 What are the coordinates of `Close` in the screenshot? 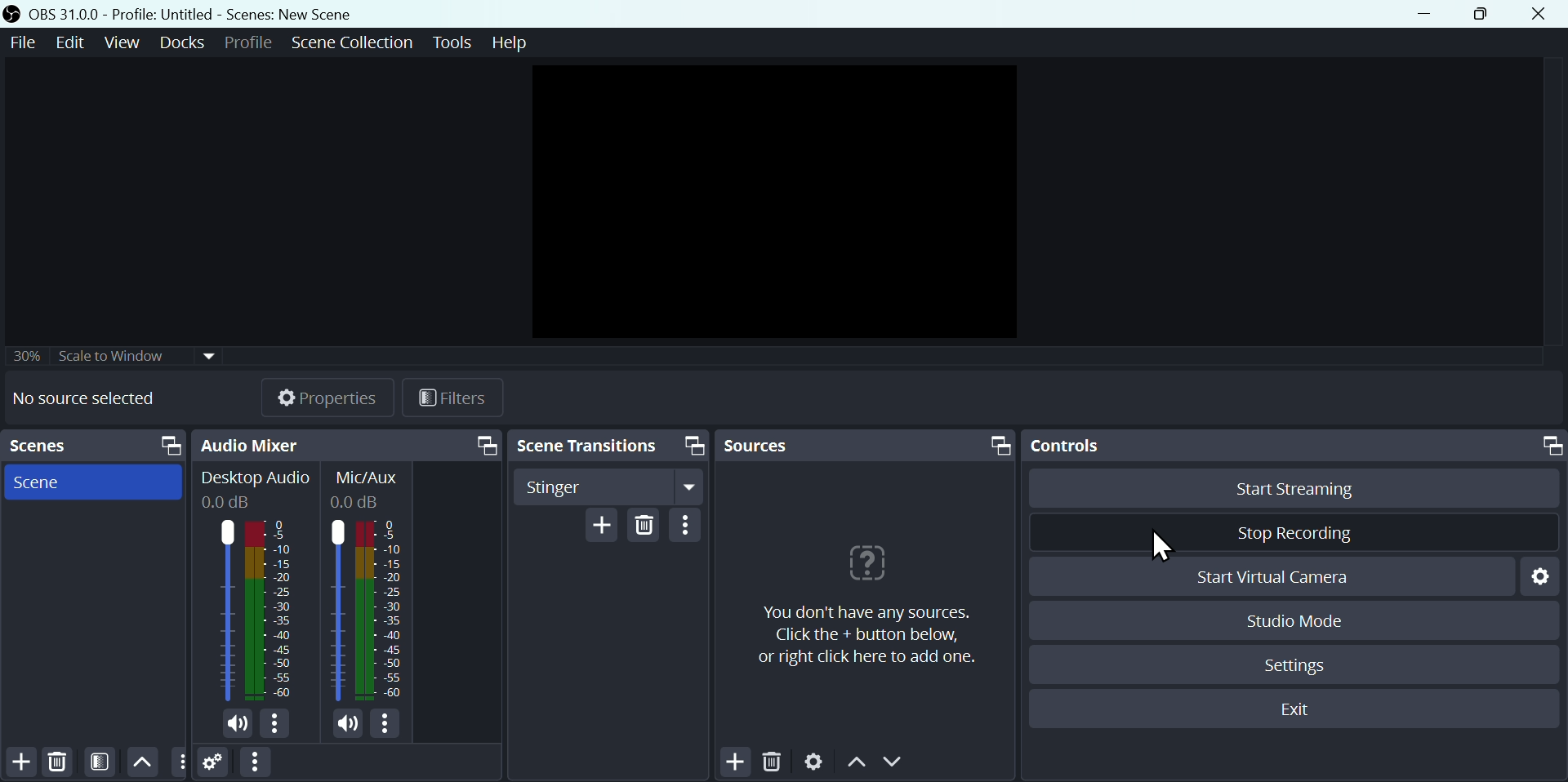 It's located at (1543, 15).